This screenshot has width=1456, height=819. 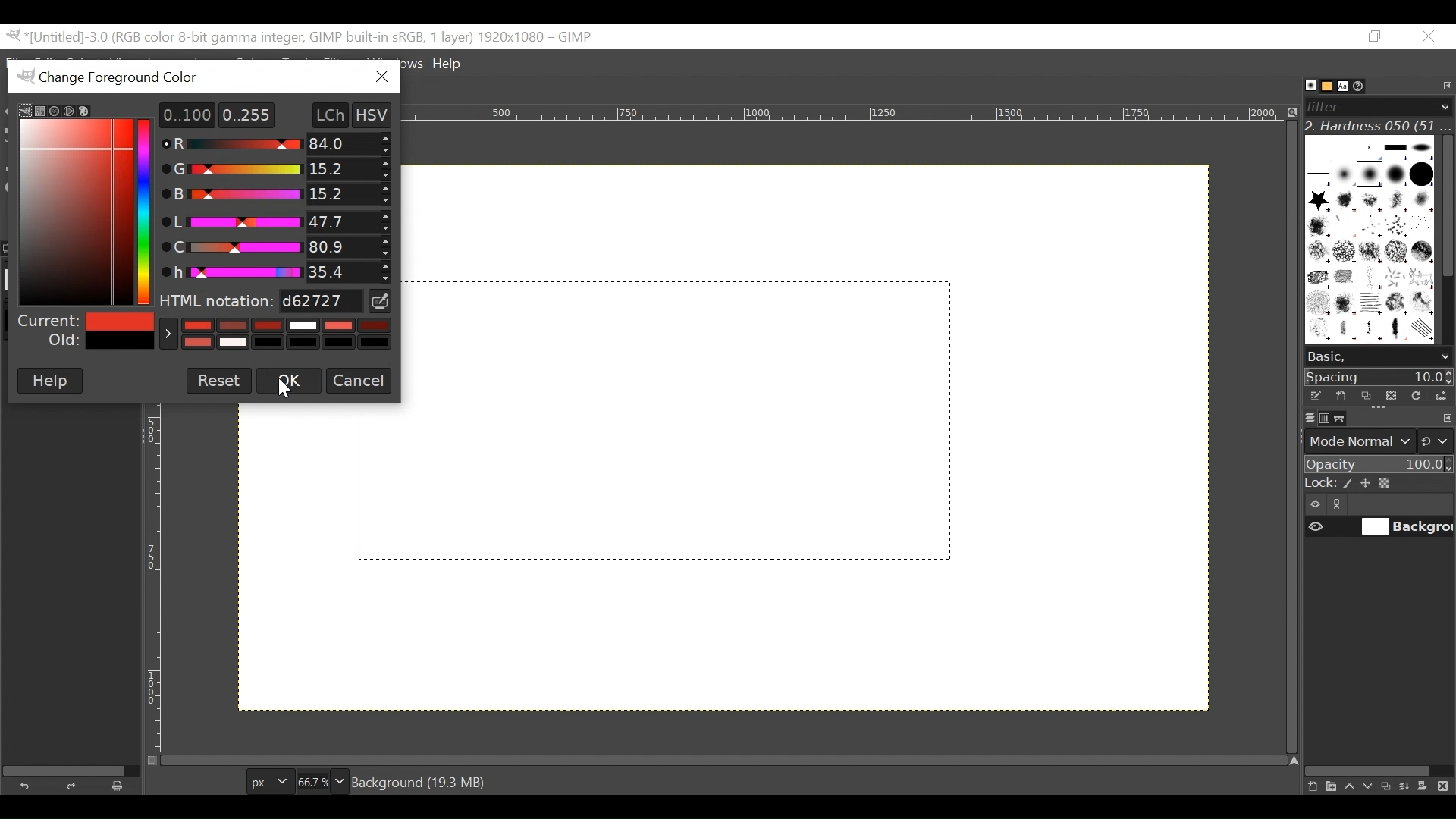 What do you see at coordinates (219, 379) in the screenshot?
I see `Reset ` at bounding box center [219, 379].